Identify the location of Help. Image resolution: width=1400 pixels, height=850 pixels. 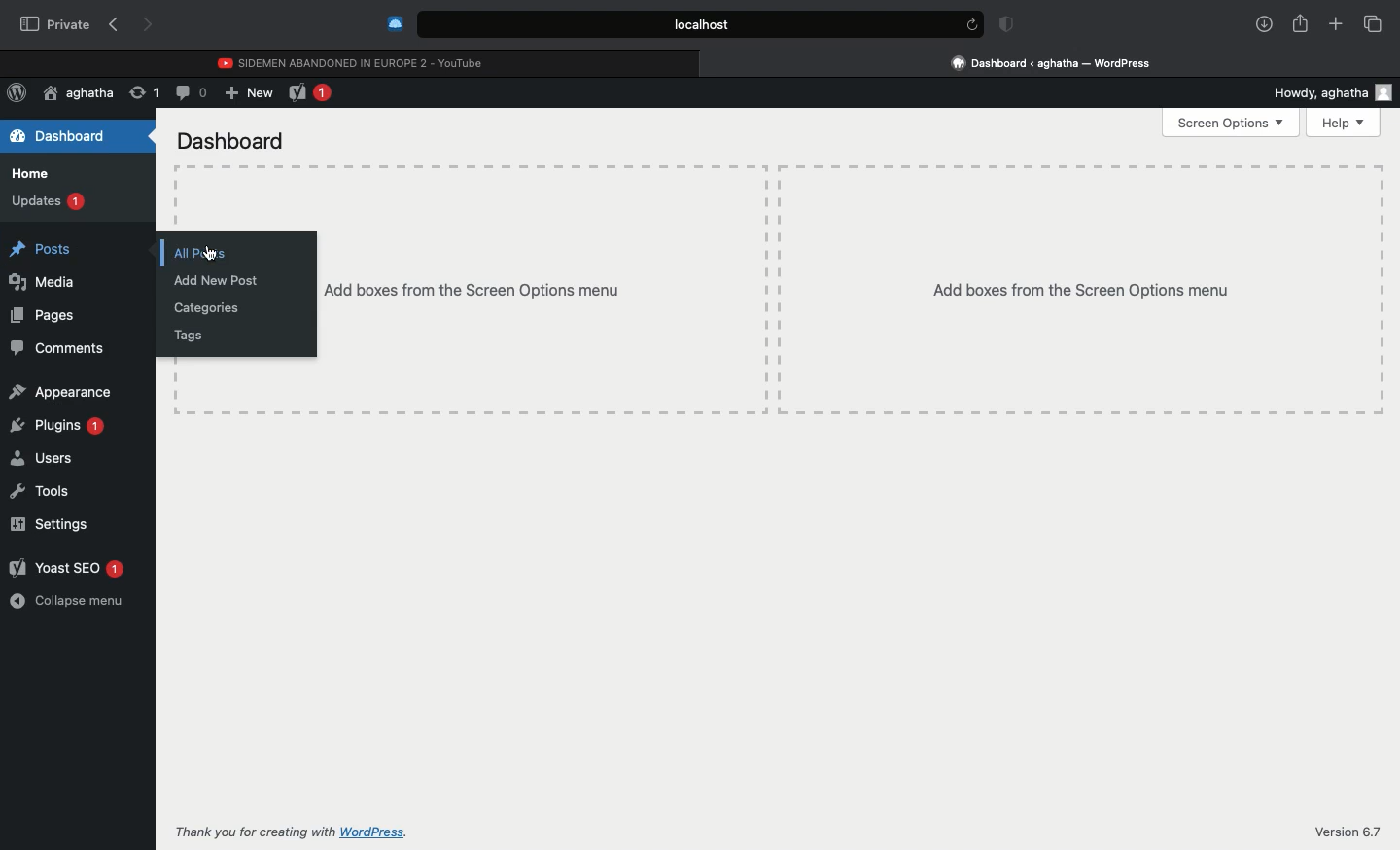
(1343, 122).